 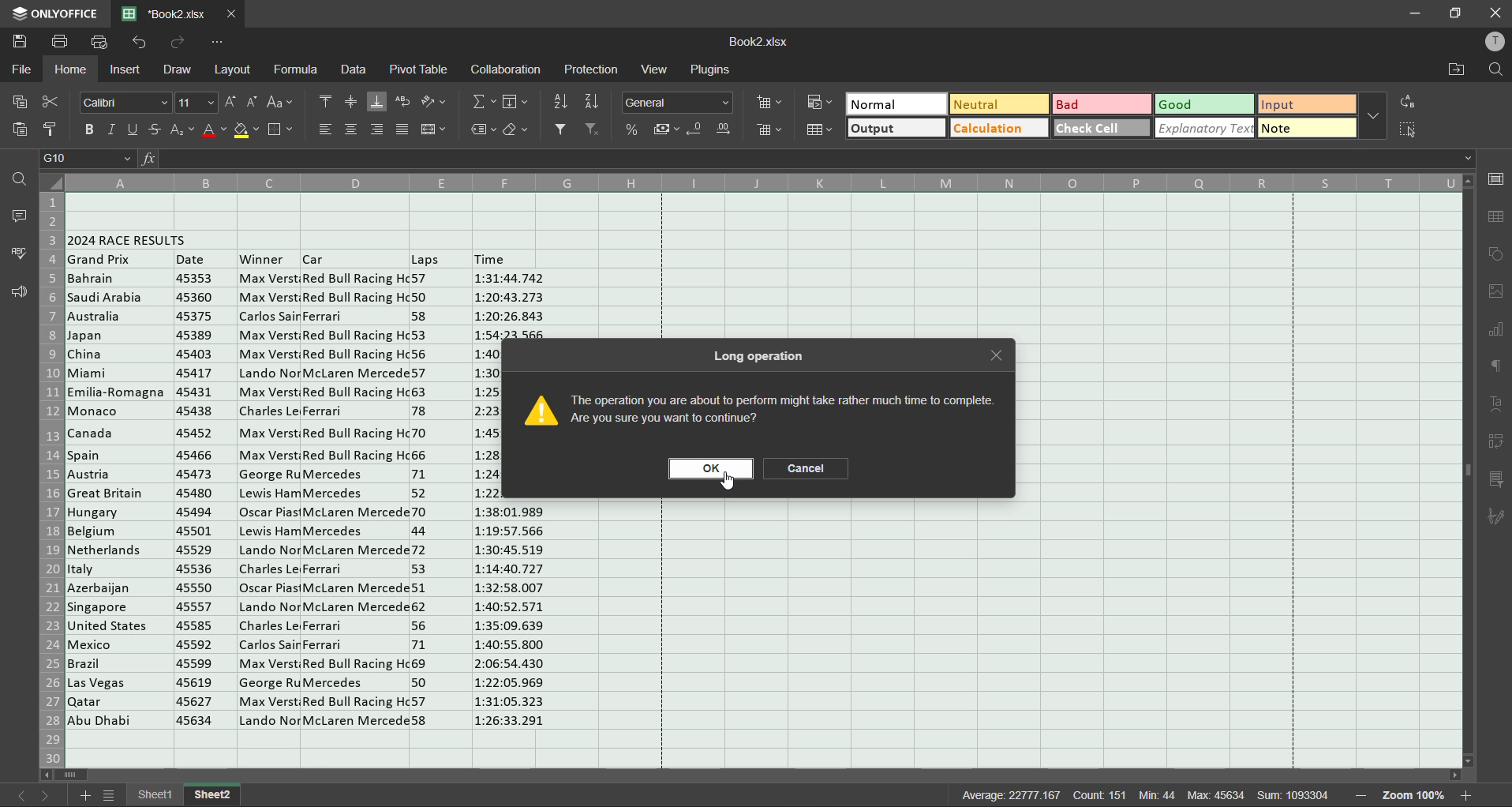 What do you see at coordinates (593, 72) in the screenshot?
I see `protection` at bounding box center [593, 72].